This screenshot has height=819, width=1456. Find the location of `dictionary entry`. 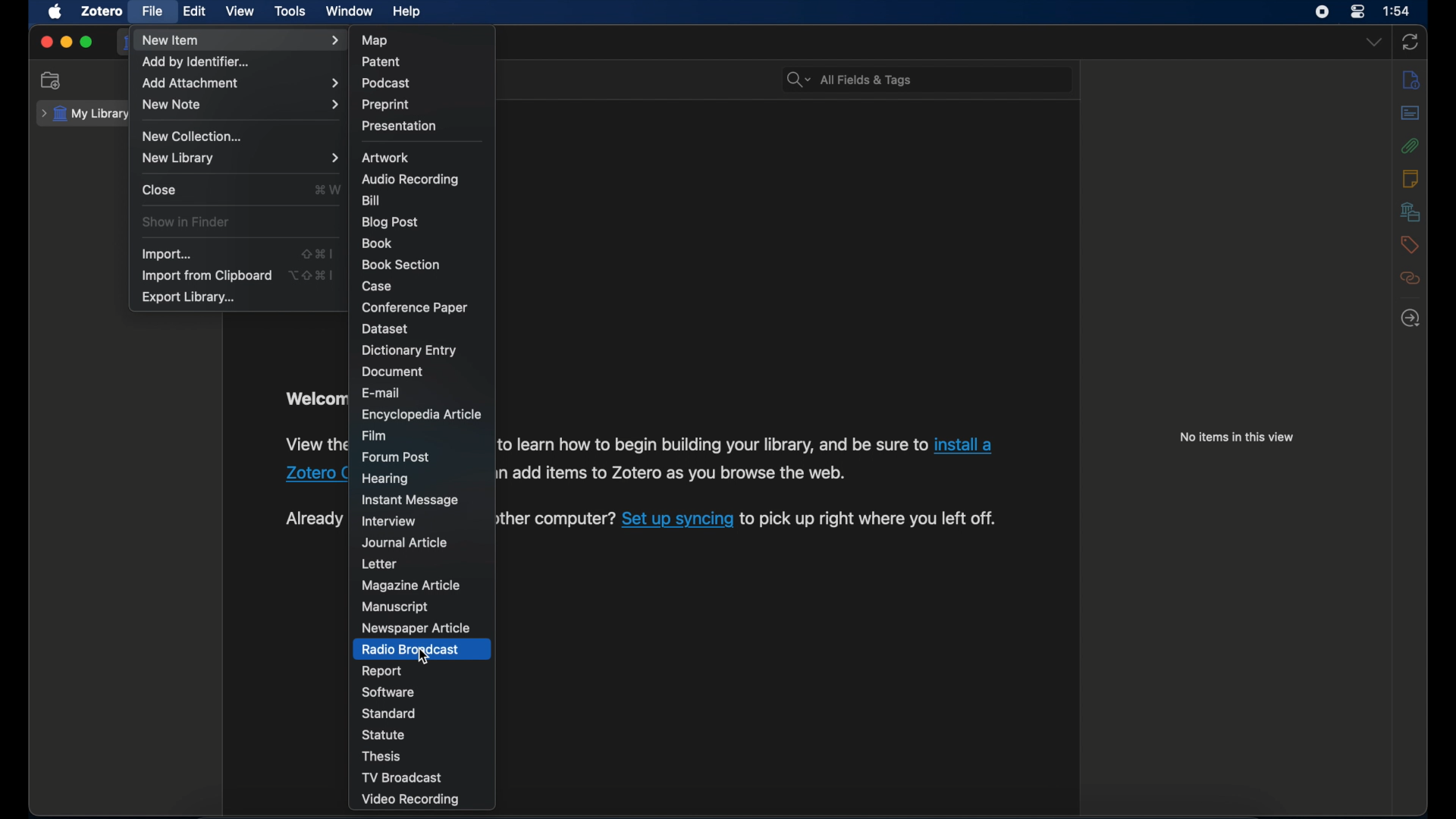

dictionary entry is located at coordinates (409, 350).